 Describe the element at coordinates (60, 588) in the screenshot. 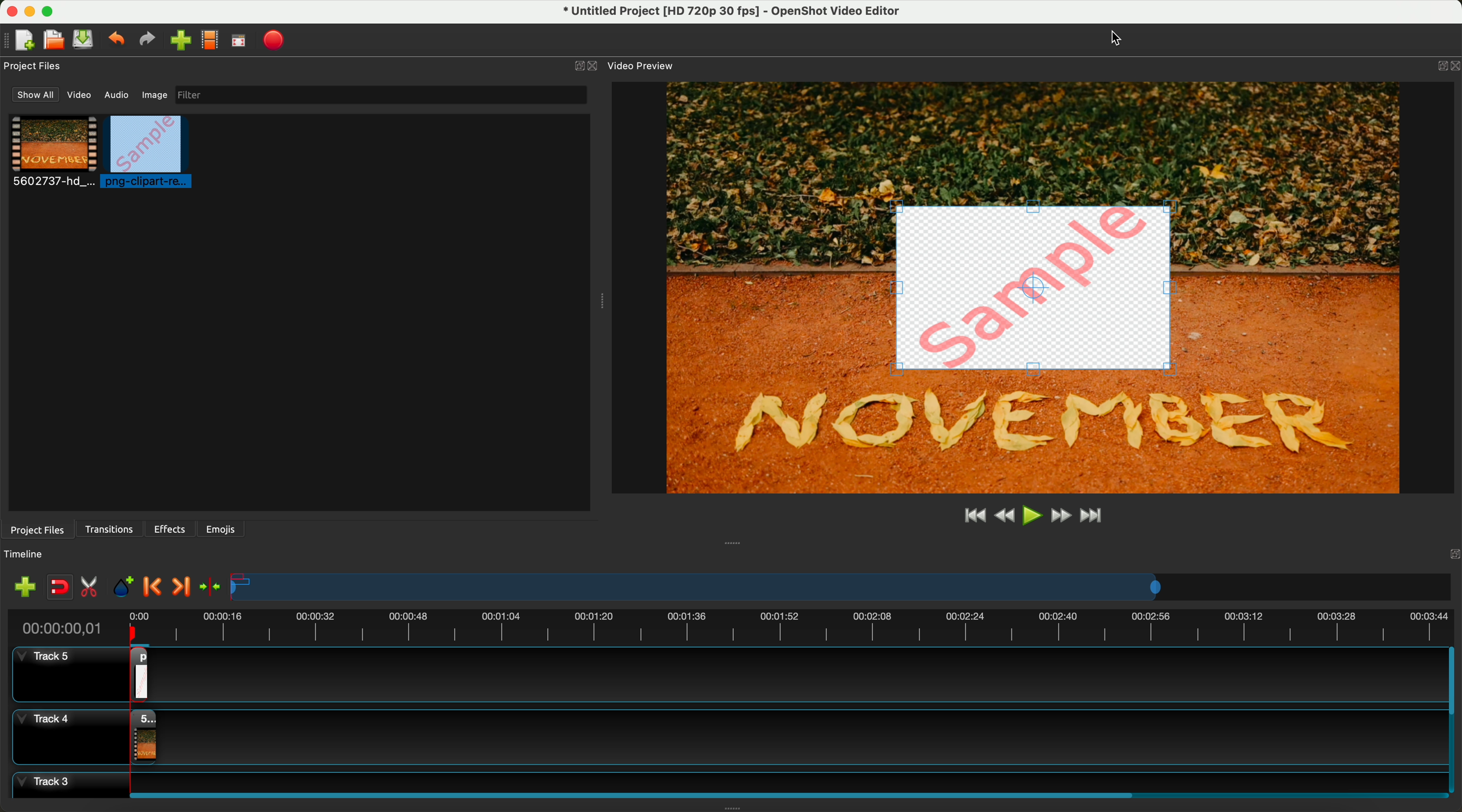

I see `disable snapping` at that location.